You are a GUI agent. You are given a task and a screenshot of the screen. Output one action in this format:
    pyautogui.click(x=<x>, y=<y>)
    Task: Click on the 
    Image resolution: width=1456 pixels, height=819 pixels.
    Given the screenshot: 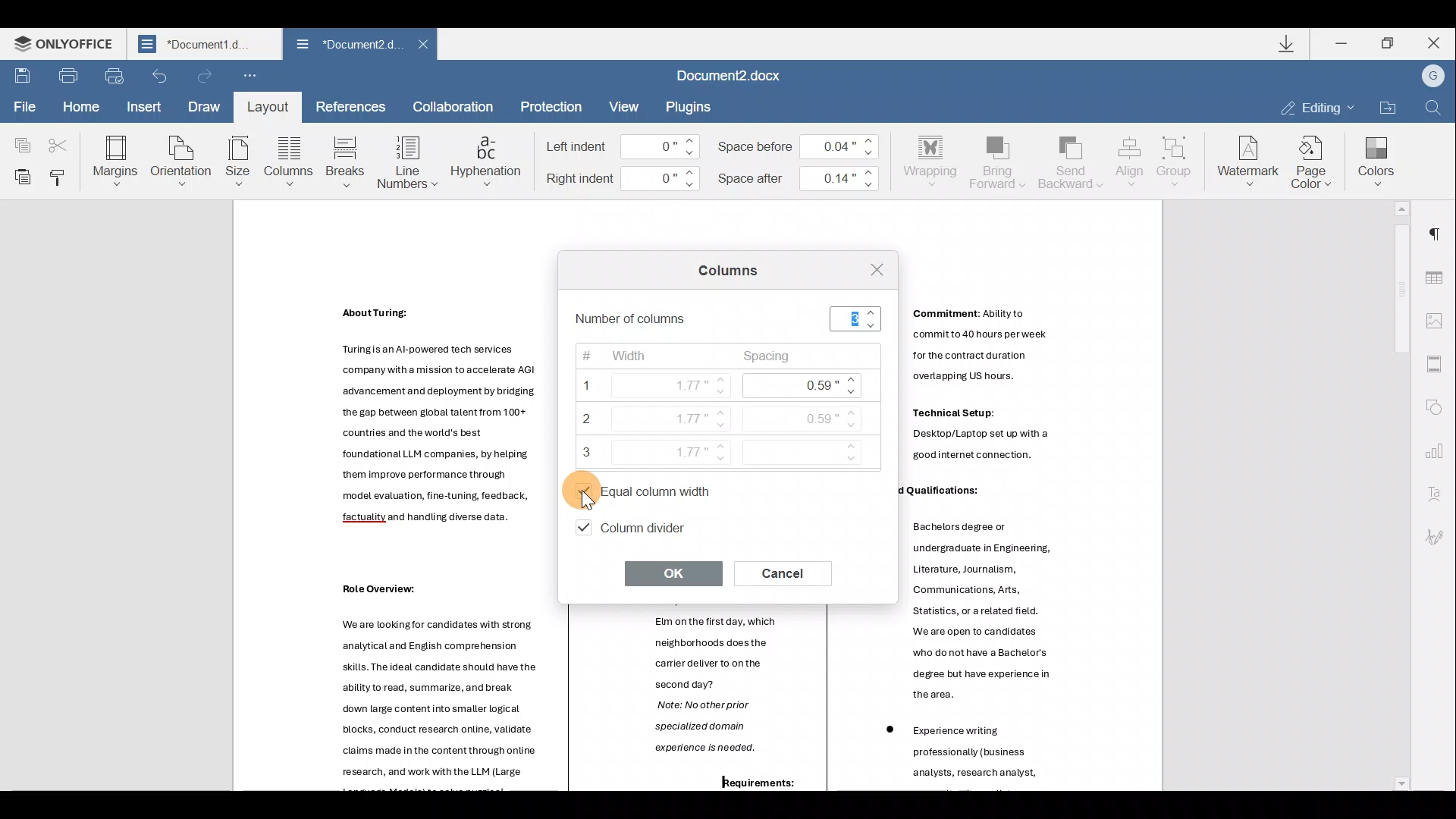 What is the action you would take?
    pyautogui.click(x=961, y=750)
    